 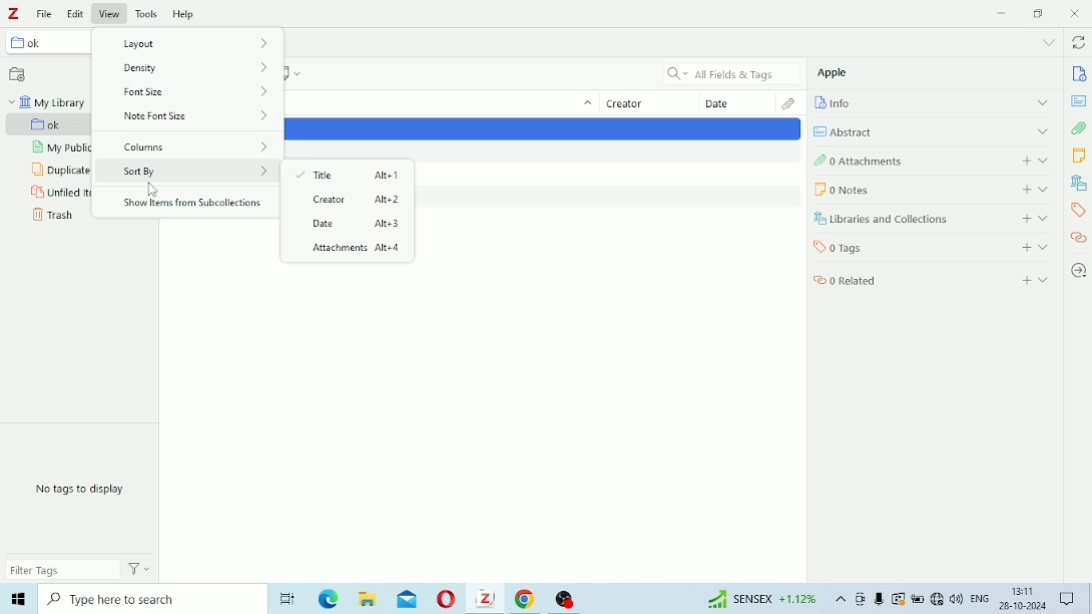 What do you see at coordinates (863, 281) in the screenshot?
I see `Related` at bounding box center [863, 281].